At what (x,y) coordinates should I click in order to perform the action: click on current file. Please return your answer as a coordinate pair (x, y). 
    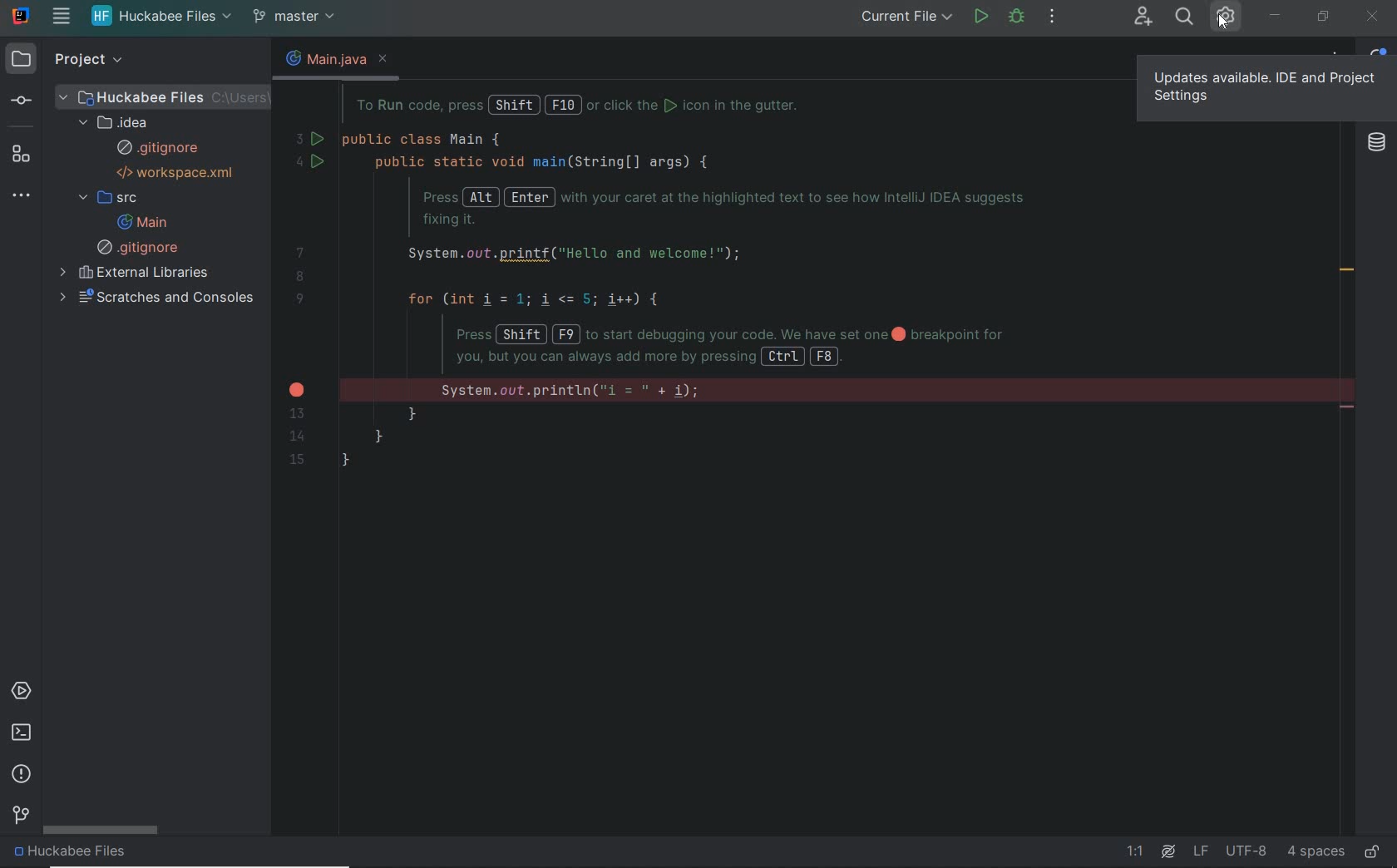
    Looking at the image, I should click on (906, 17).